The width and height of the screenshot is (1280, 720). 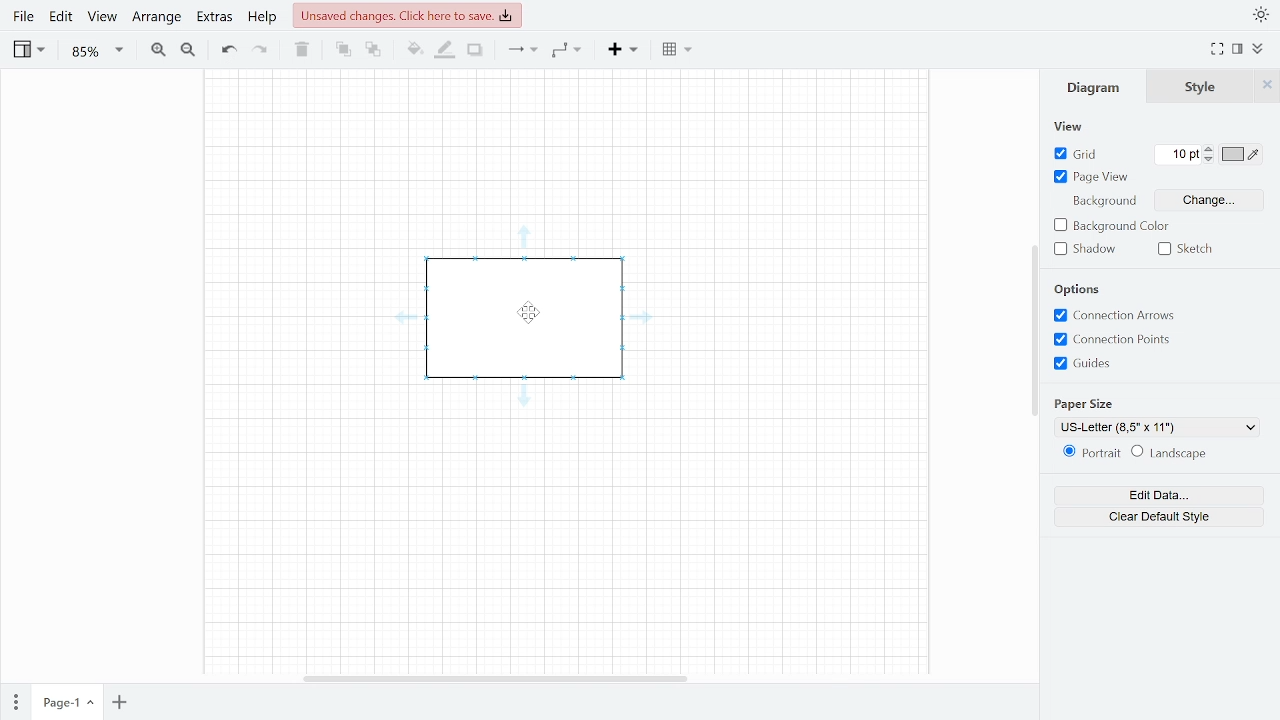 What do you see at coordinates (408, 13) in the screenshot?
I see `Unsaved changes. Click here to save` at bounding box center [408, 13].